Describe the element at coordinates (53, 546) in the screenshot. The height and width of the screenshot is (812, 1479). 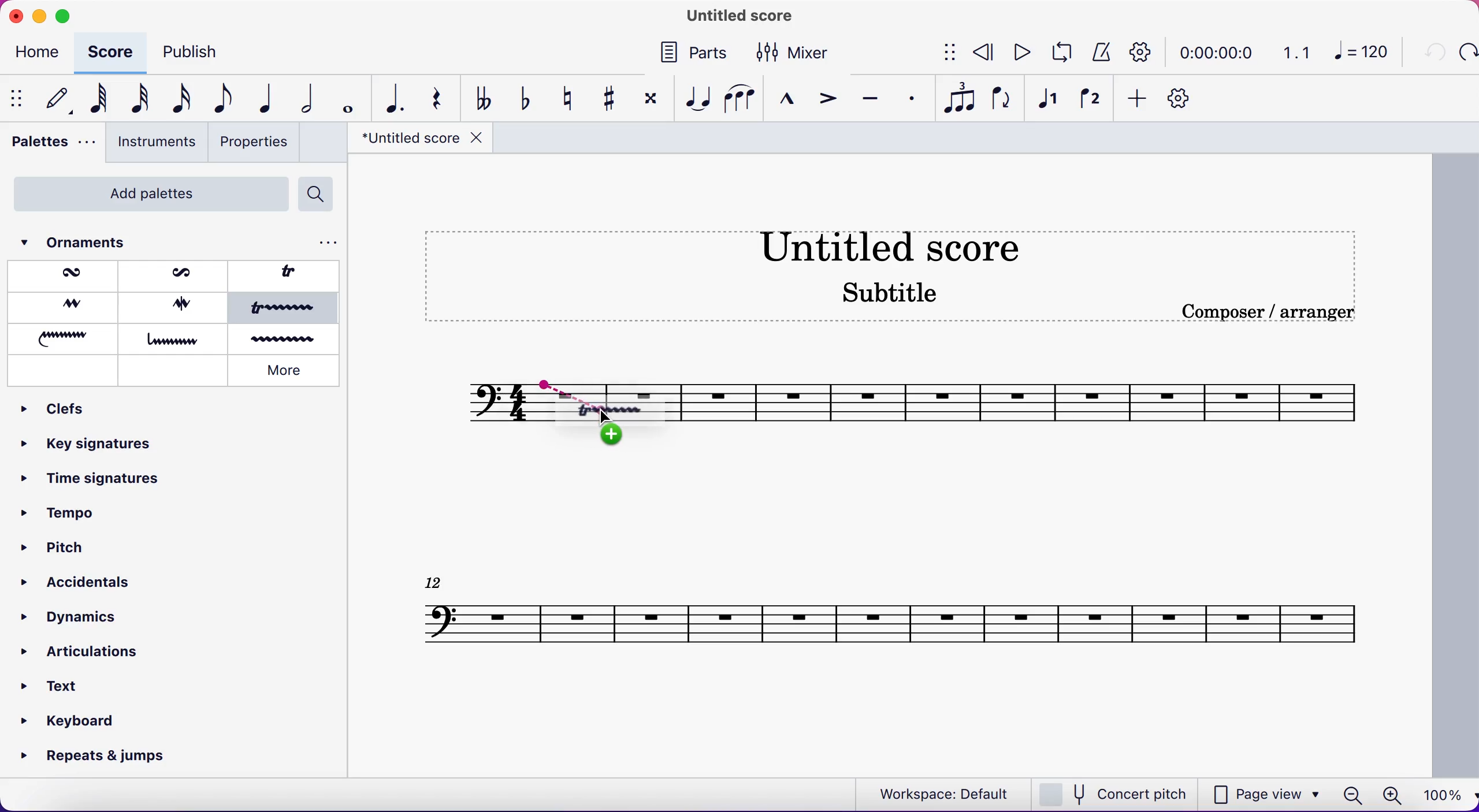
I see `pitch` at that location.